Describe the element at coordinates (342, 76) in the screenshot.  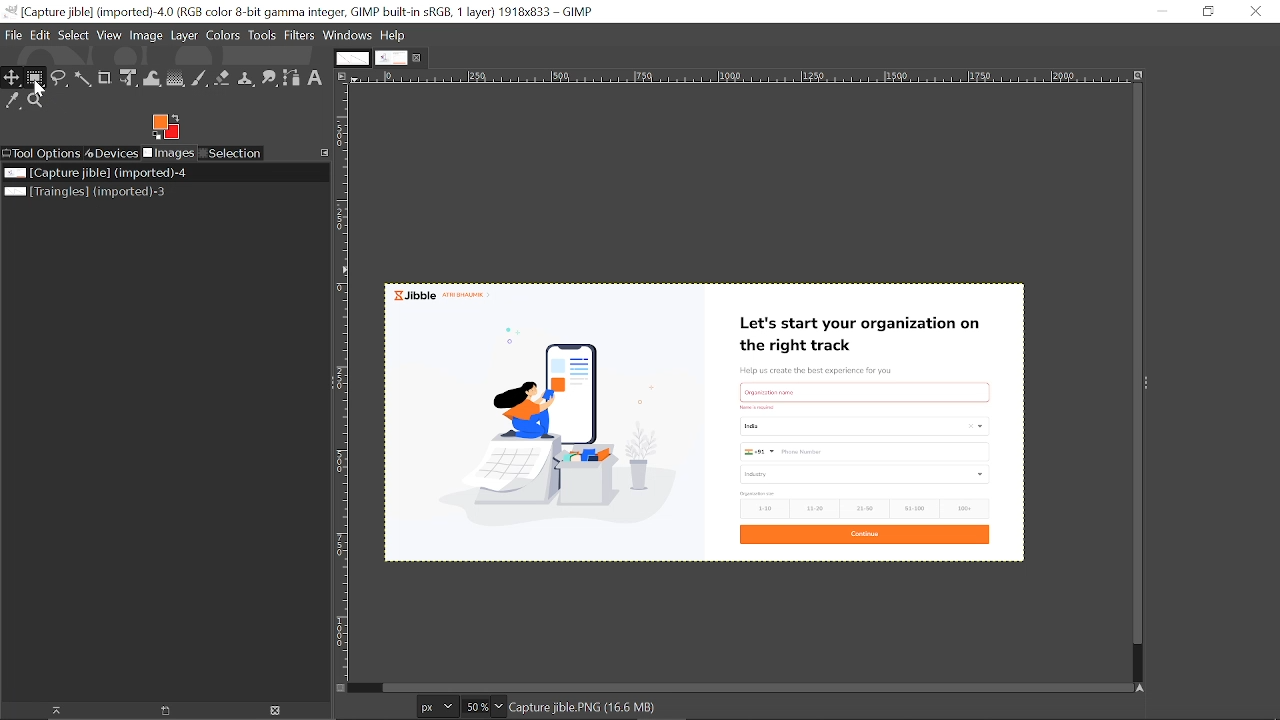
I see `Access this image menu` at that location.